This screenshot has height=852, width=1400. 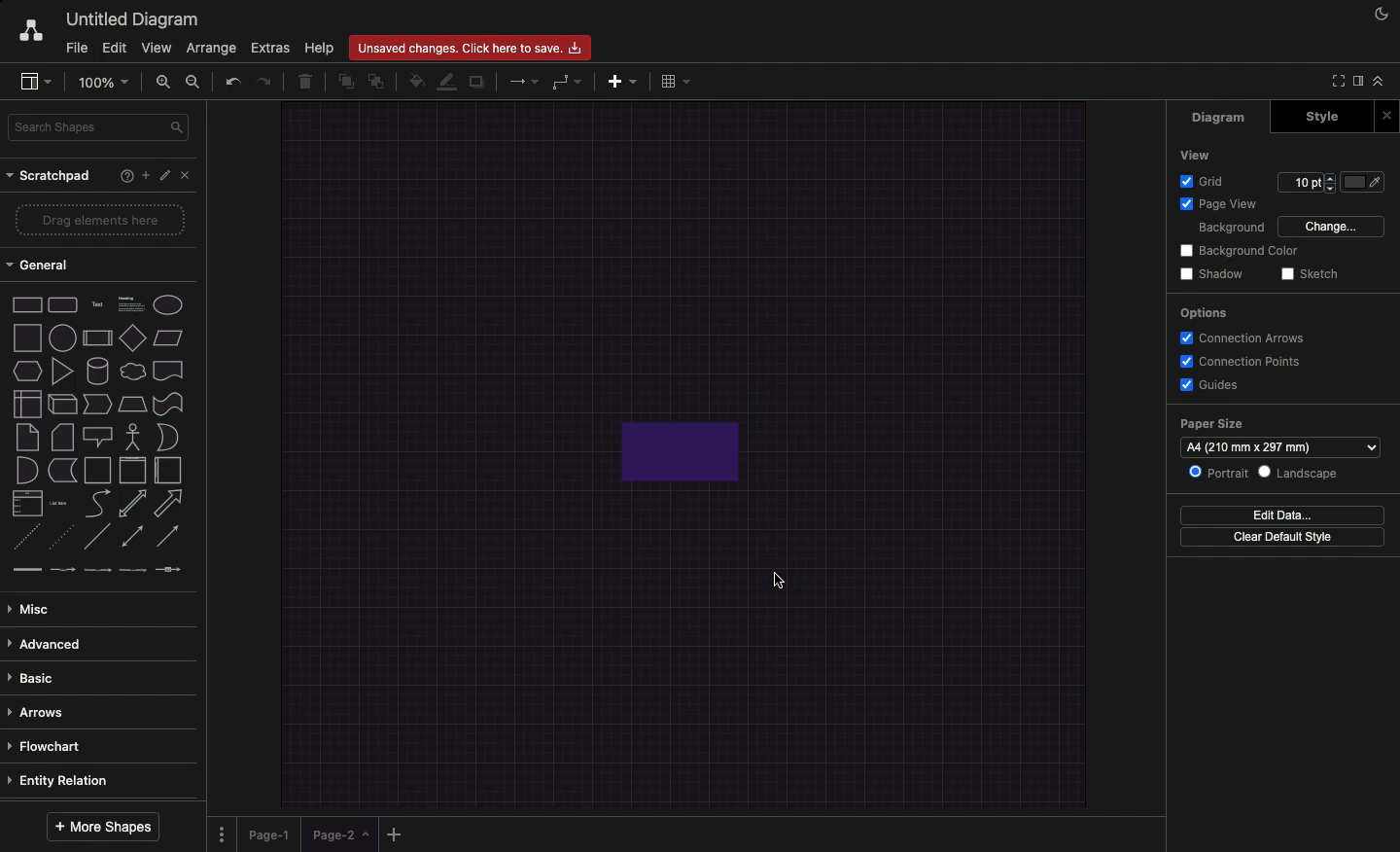 What do you see at coordinates (96, 469) in the screenshot?
I see `container` at bounding box center [96, 469].